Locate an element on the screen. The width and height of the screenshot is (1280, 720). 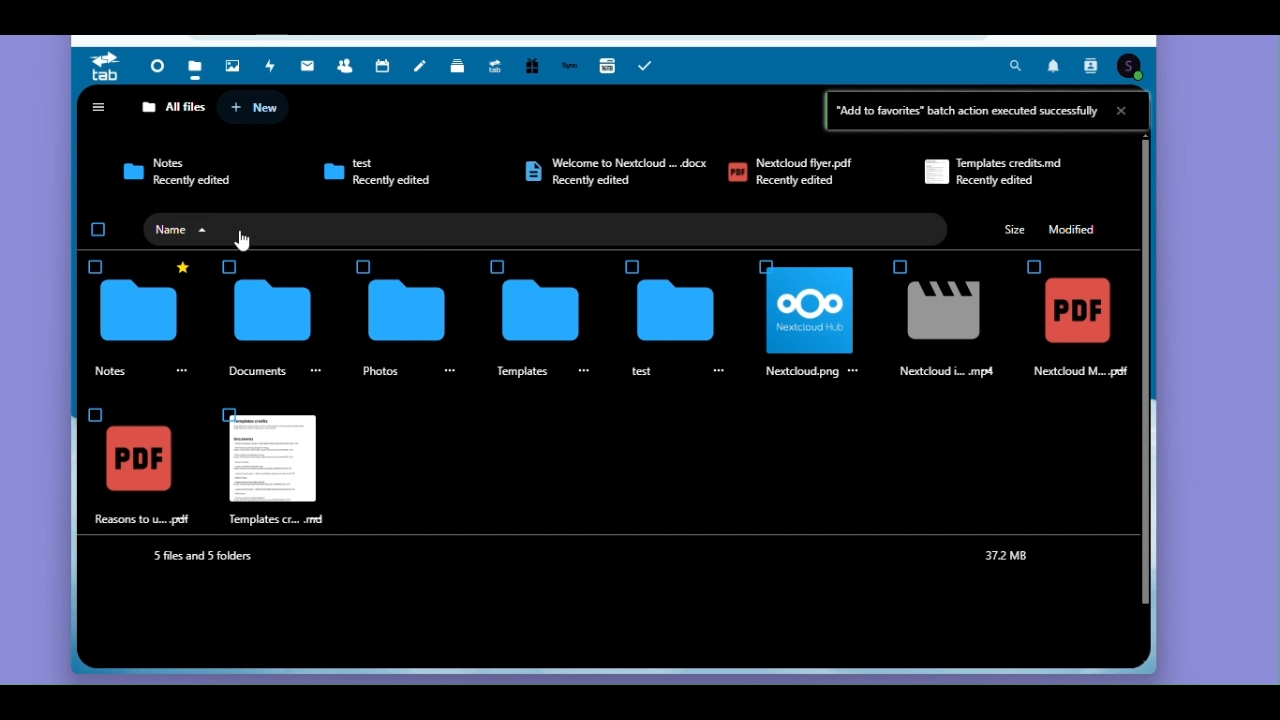
Check Box is located at coordinates (498, 267).